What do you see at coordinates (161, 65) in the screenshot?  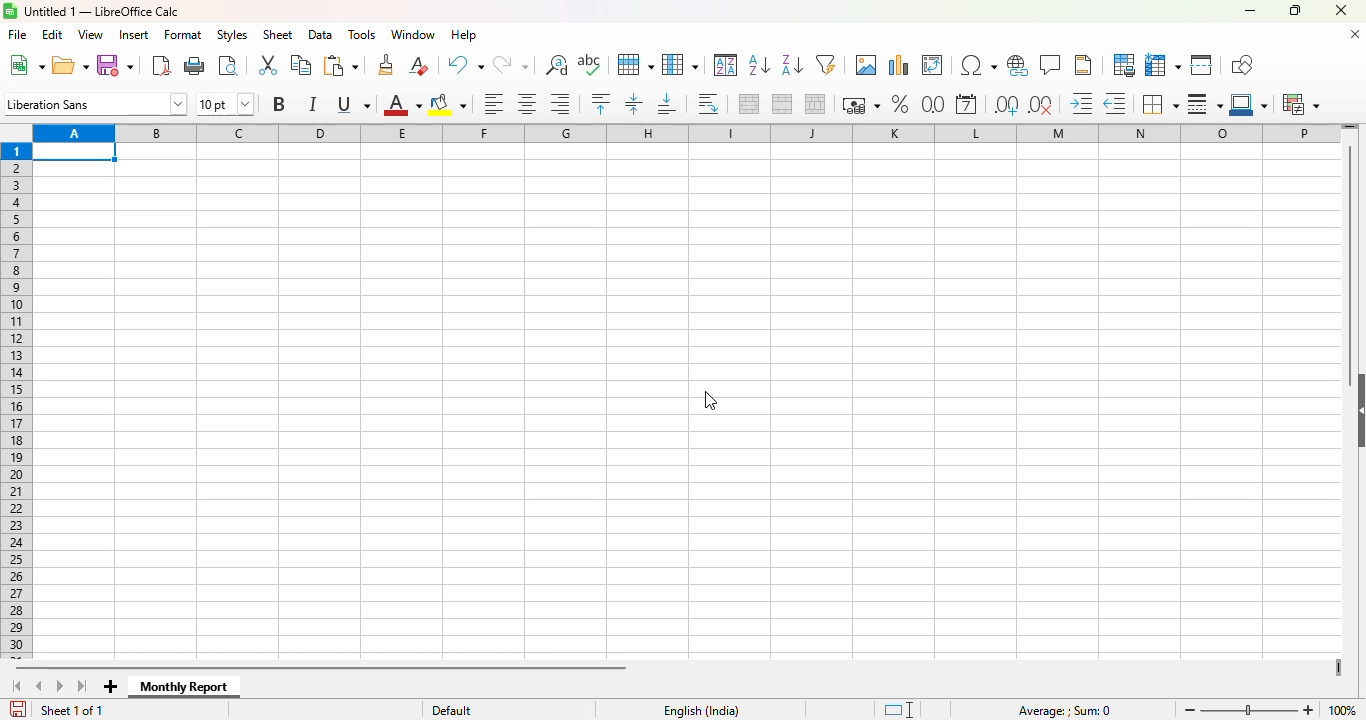 I see `export directly as PDF` at bounding box center [161, 65].